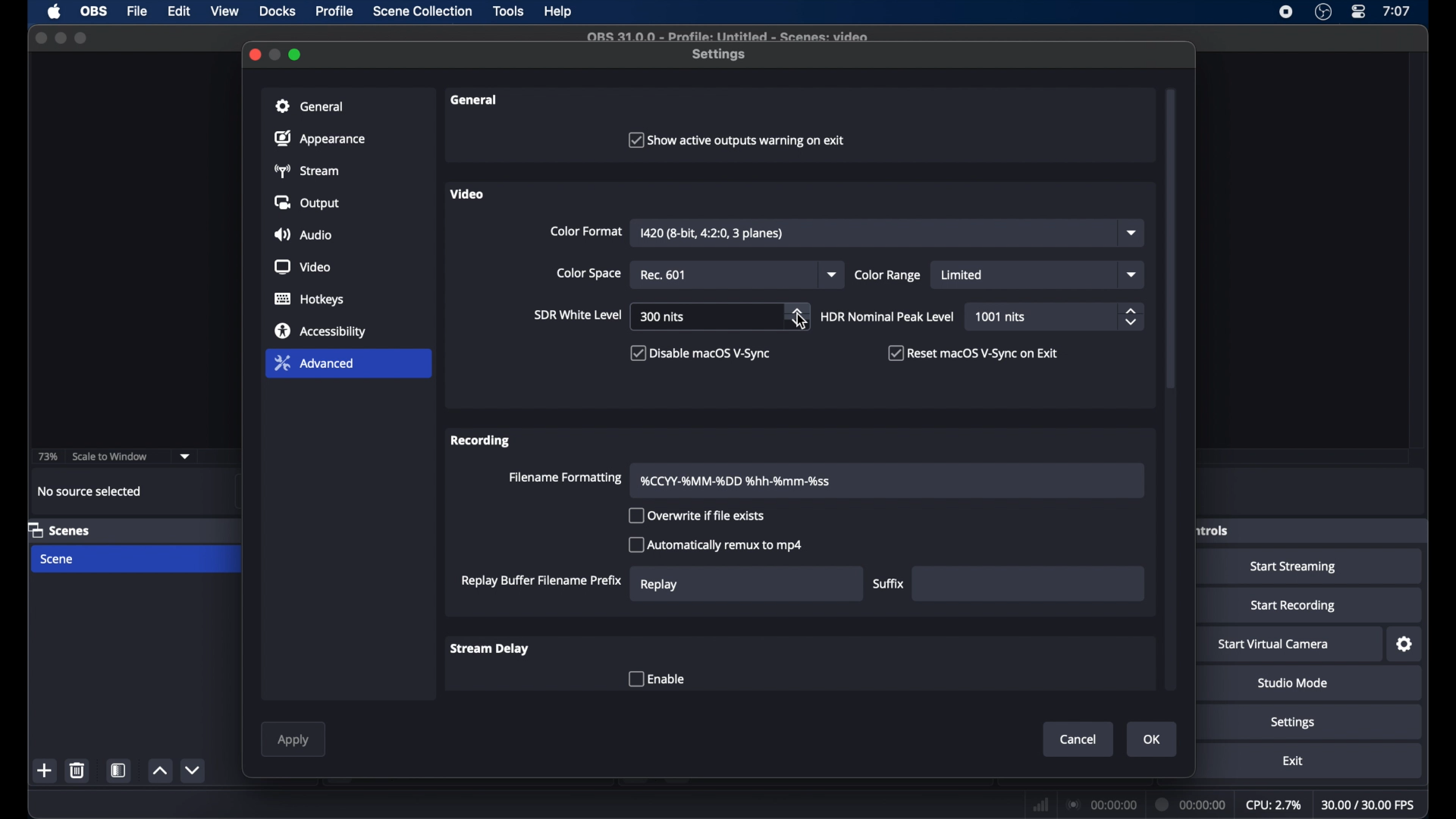 The height and width of the screenshot is (819, 1456). I want to click on control center, so click(1357, 11).